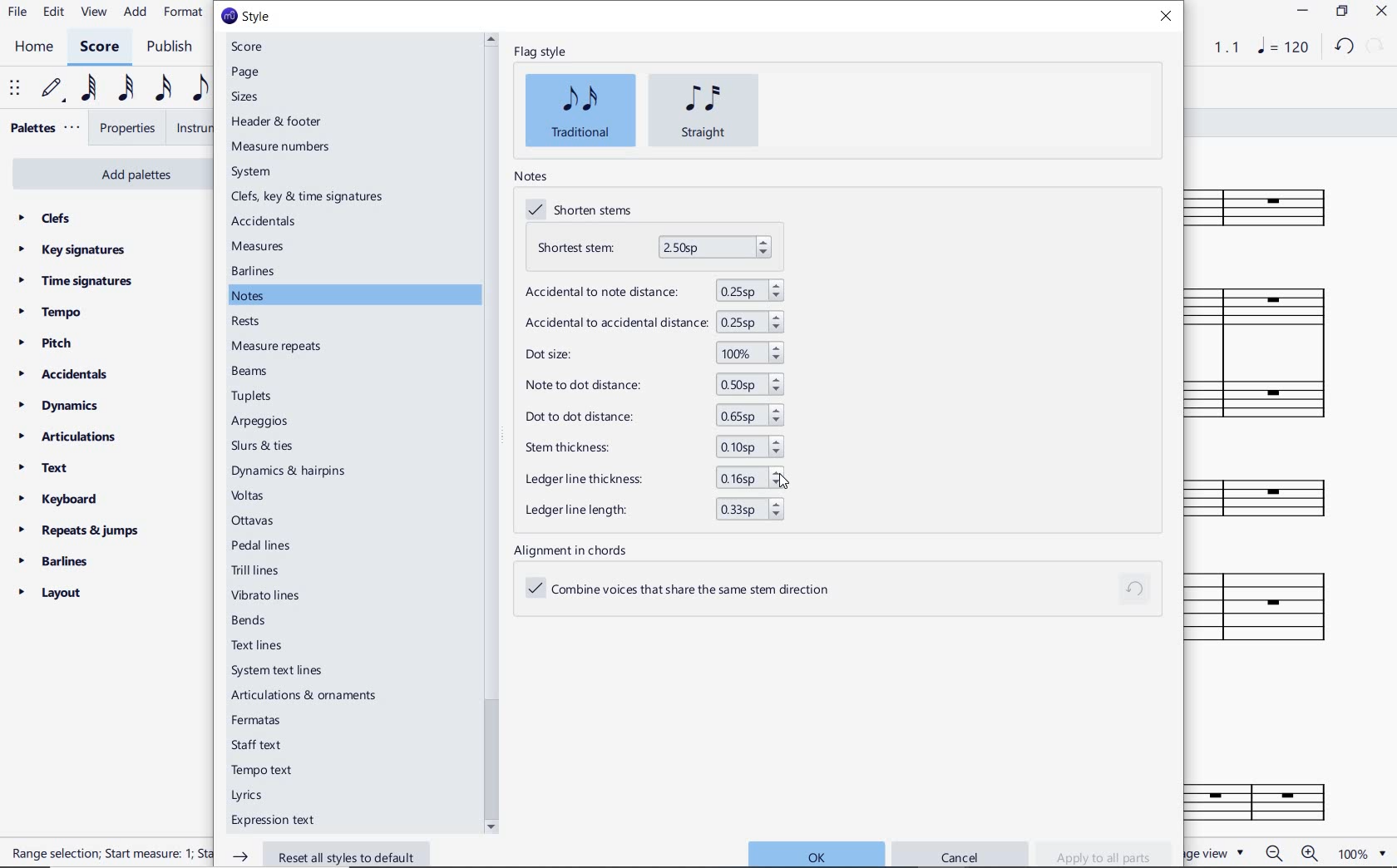 This screenshot has width=1397, height=868. I want to click on system, so click(251, 174).